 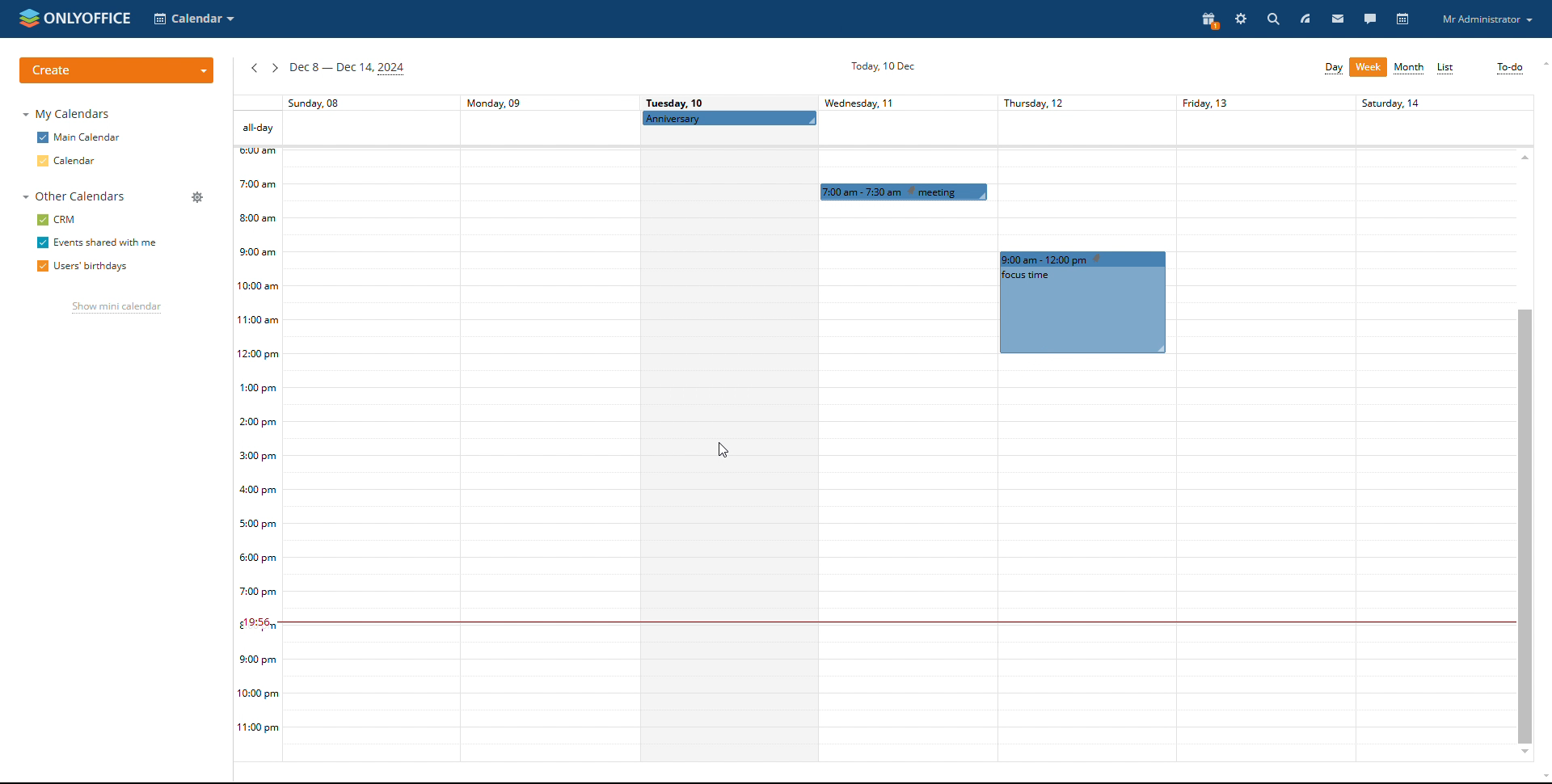 What do you see at coordinates (1410, 69) in the screenshot?
I see `month view` at bounding box center [1410, 69].